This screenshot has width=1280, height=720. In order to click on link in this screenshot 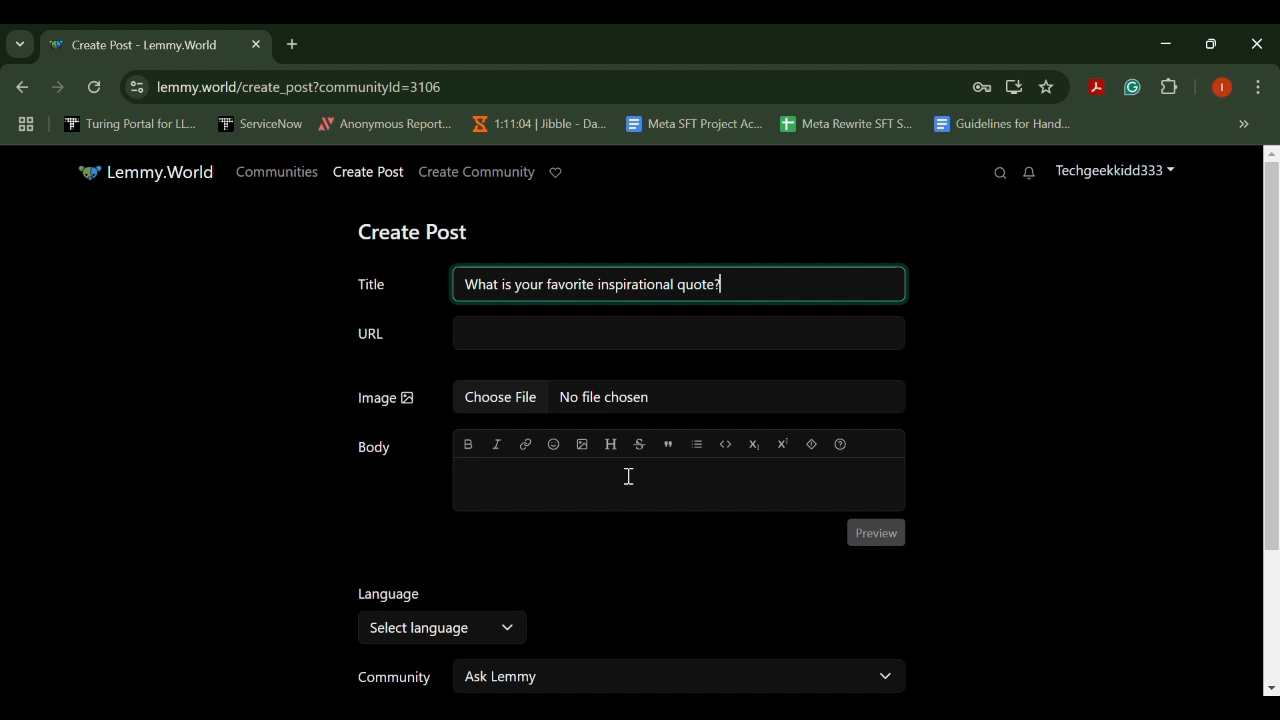, I will do `click(526, 444)`.